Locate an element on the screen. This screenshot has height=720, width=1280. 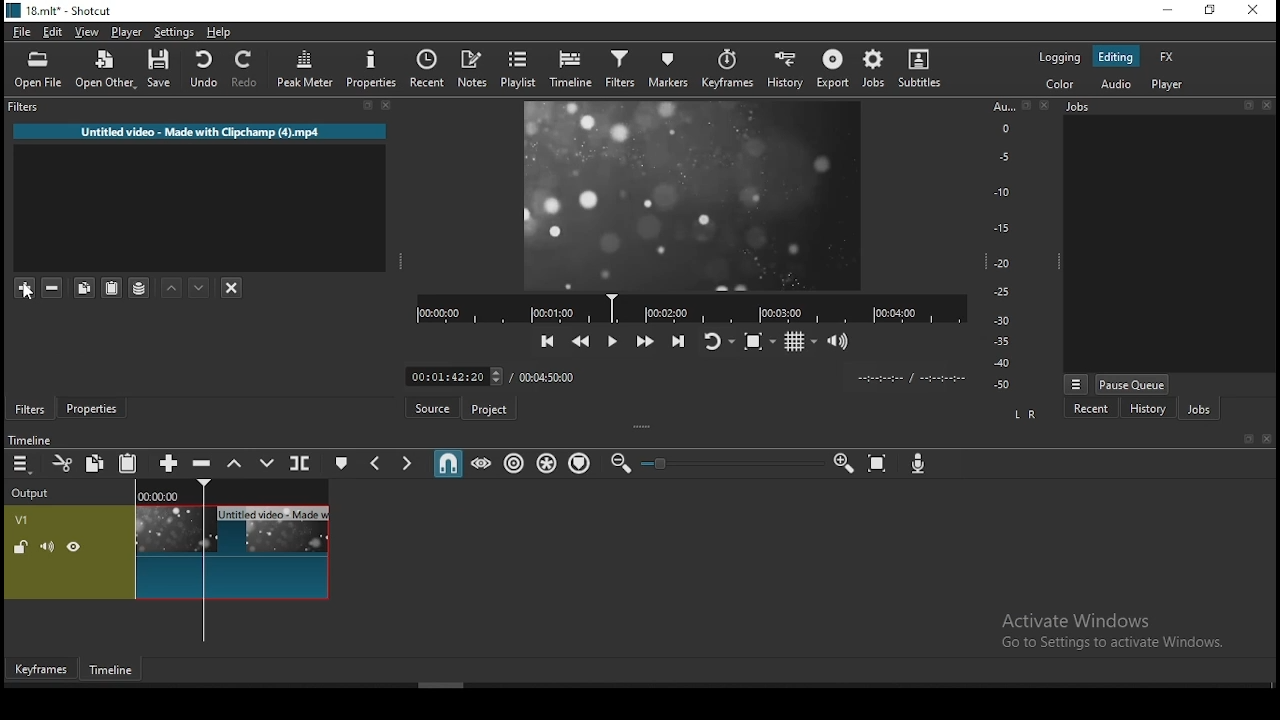
Close is located at coordinates (1266, 439).